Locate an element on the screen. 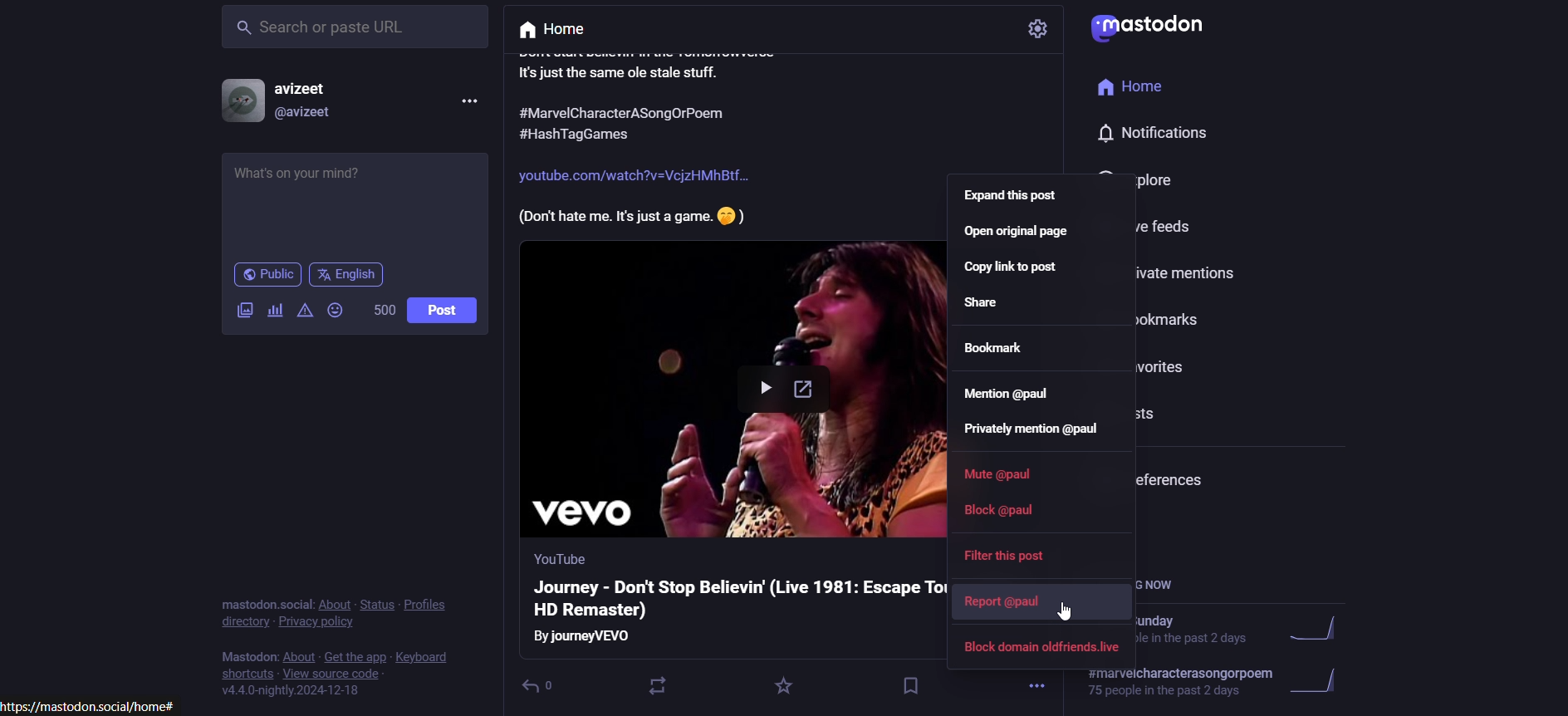  status is located at coordinates (375, 601).